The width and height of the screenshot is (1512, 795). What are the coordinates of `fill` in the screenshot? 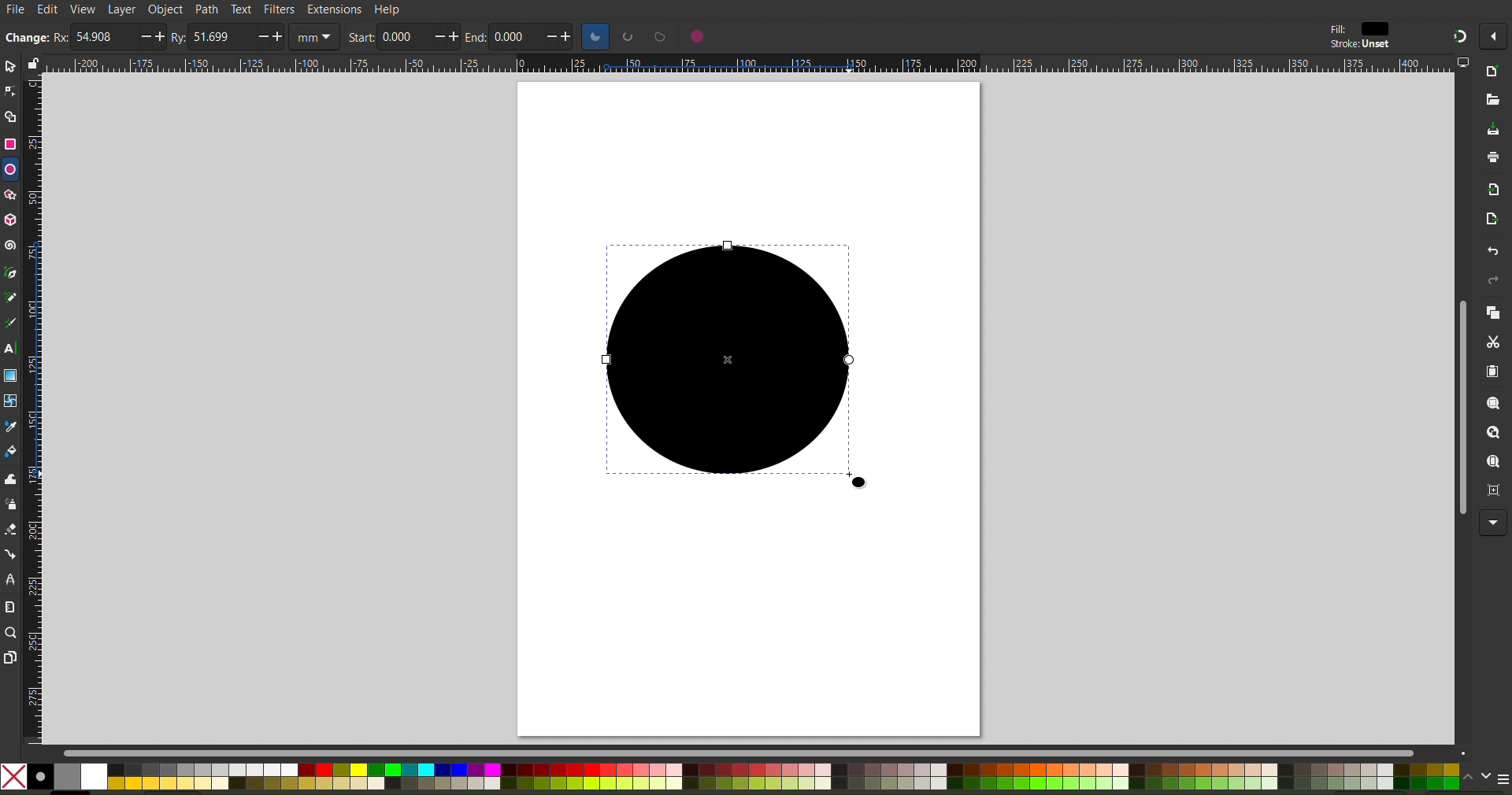 It's located at (1332, 29).